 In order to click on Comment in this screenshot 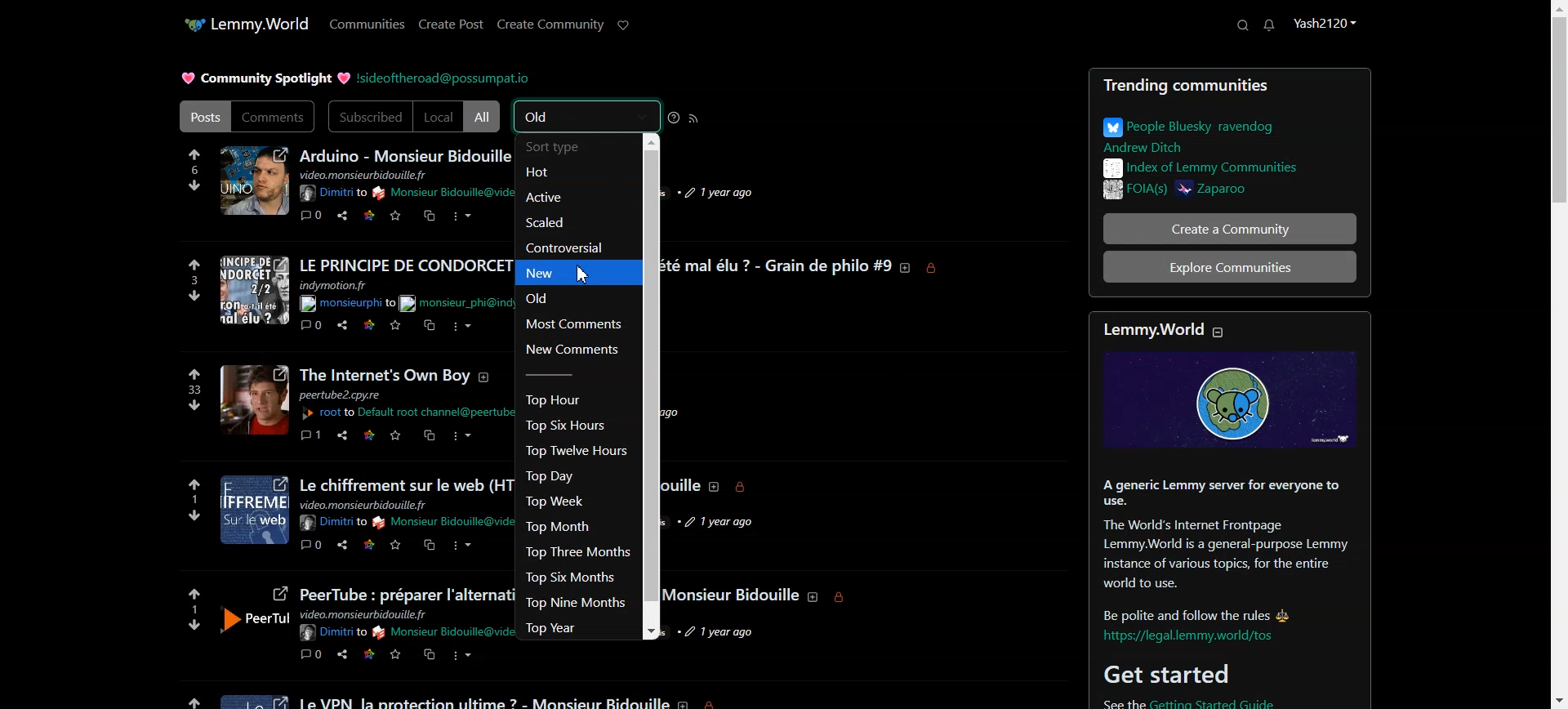, I will do `click(312, 215)`.